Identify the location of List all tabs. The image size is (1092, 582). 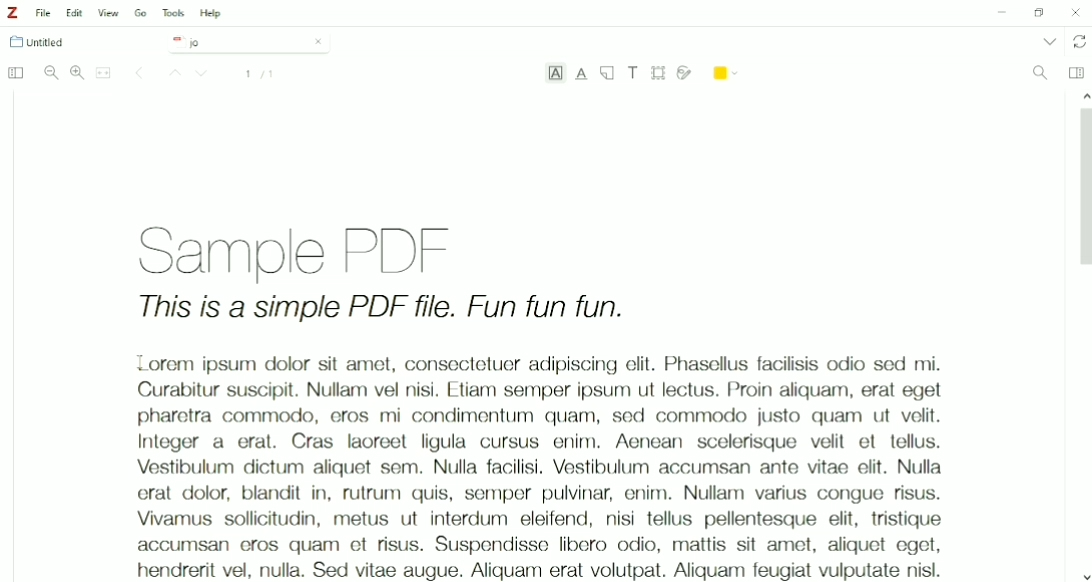
(1048, 41).